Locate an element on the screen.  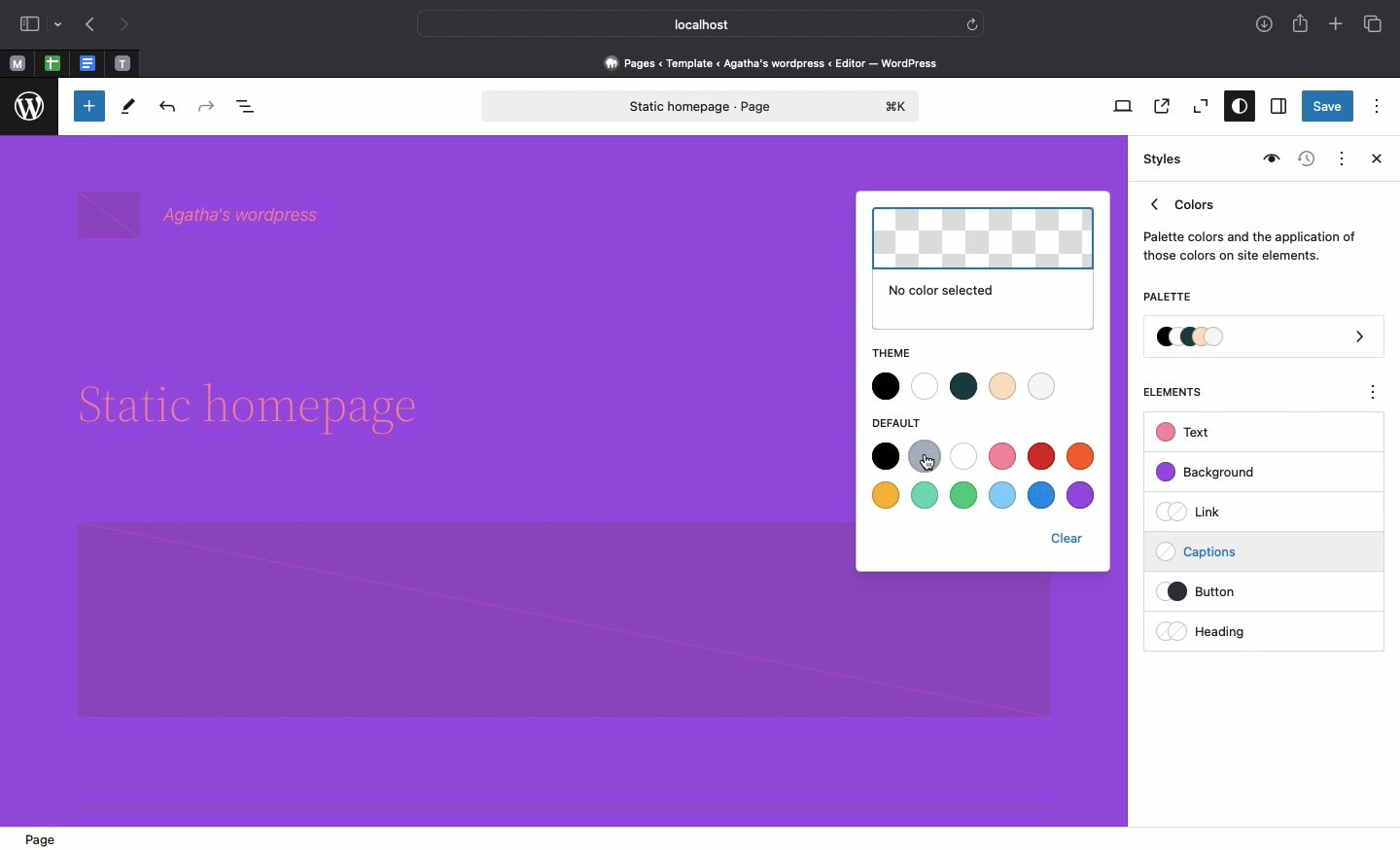
wordpress name is located at coordinates (204, 214).